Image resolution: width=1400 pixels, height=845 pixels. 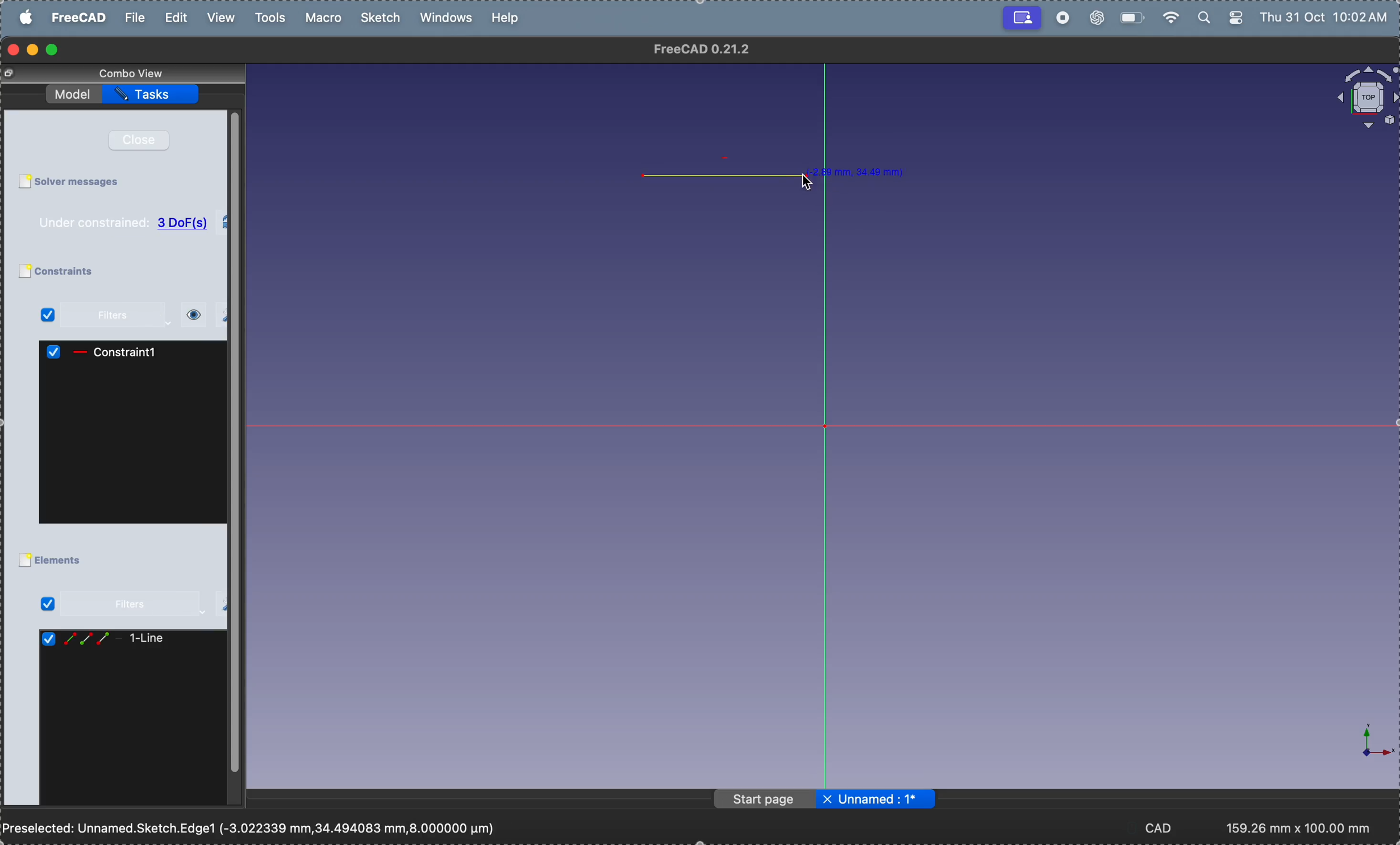 I want to click on view, so click(x=193, y=315).